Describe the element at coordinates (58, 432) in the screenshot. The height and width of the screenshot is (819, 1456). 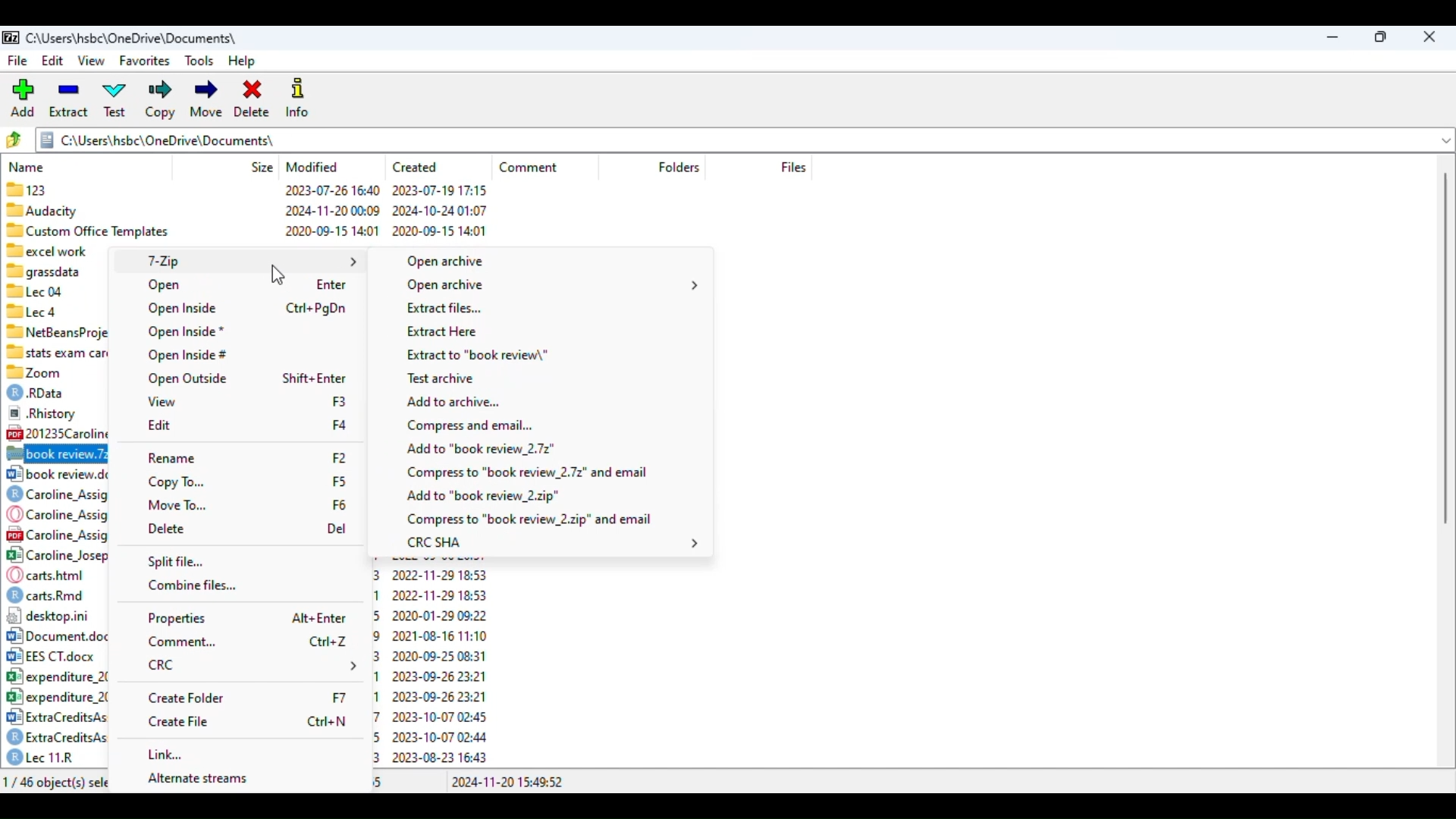
I see `@201235Carolineloseph3... 854886 2020-10-09 19:02 2020-10-09 19:05` at that location.